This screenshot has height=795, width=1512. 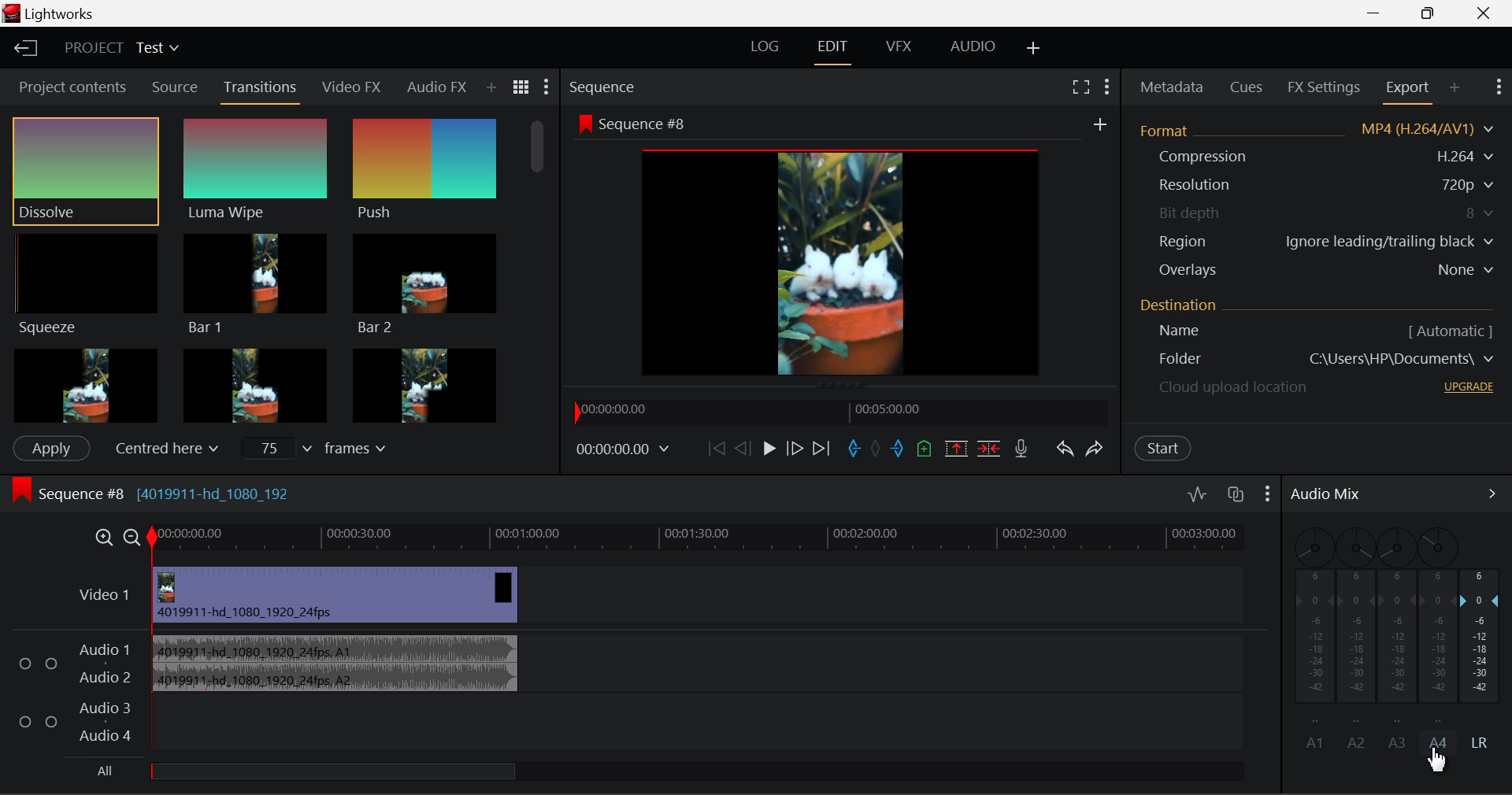 What do you see at coordinates (1319, 360) in the screenshot?
I see `Destination Folder` at bounding box center [1319, 360].